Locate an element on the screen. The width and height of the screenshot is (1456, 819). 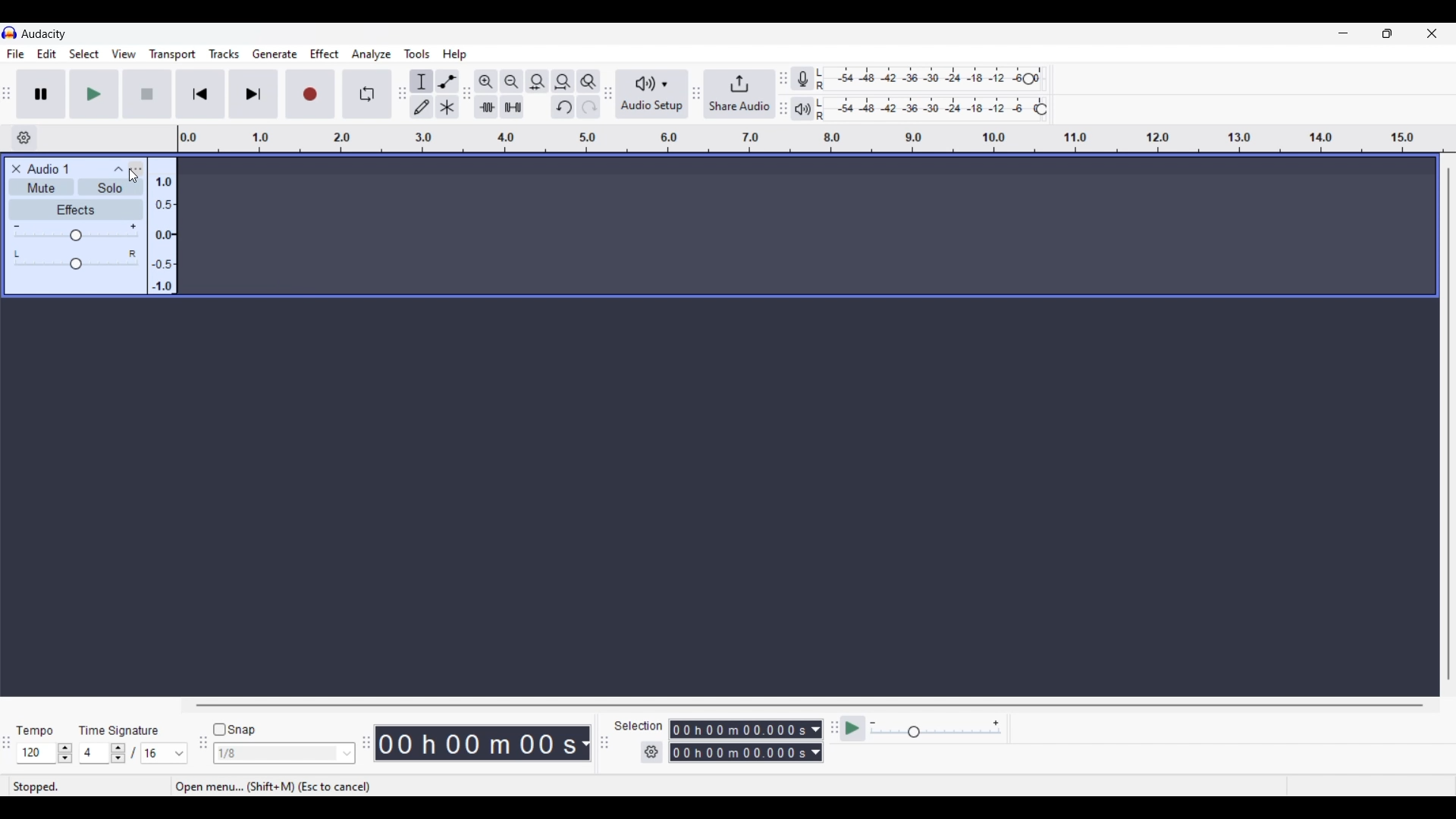
Cursor clicking on open menu is located at coordinates (133, 176).